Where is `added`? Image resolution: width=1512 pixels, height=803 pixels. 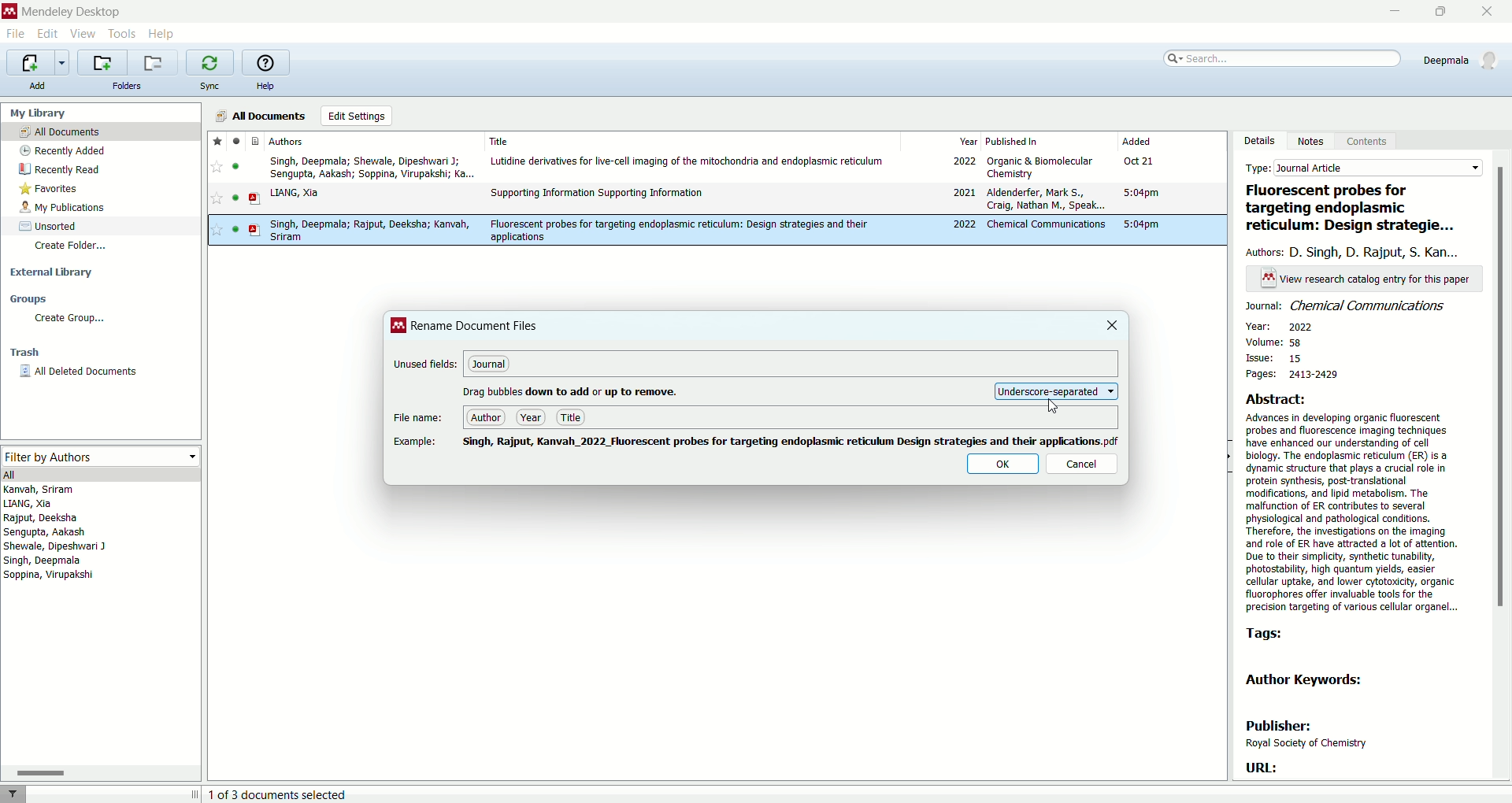 added is located at coordinates (1169, 141).